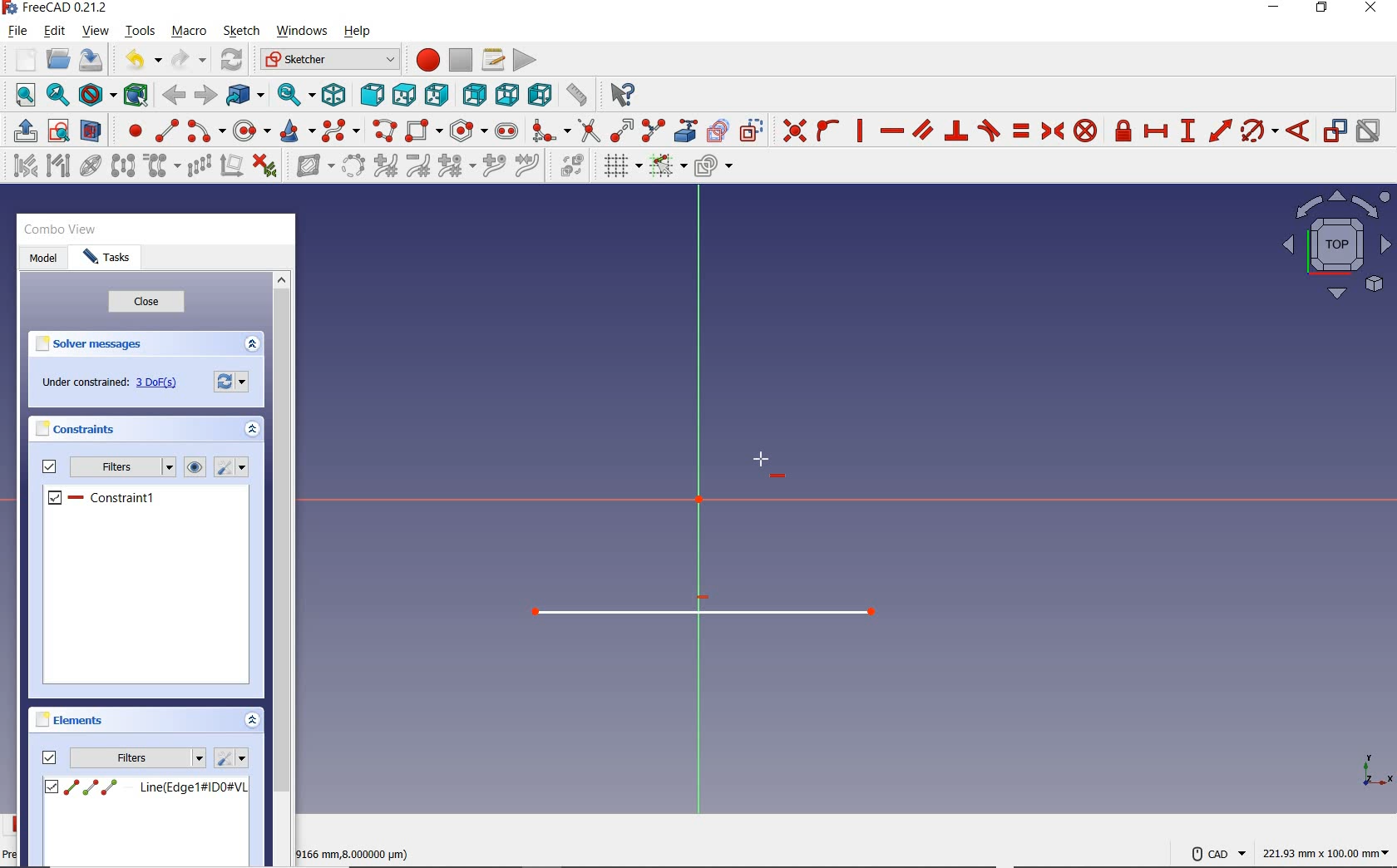 This screenshot has width=1397, height=868. What do you see at coordinates (1376, 772) in the screenshot?
I see `Shape` at bounding box center [1376, 772].